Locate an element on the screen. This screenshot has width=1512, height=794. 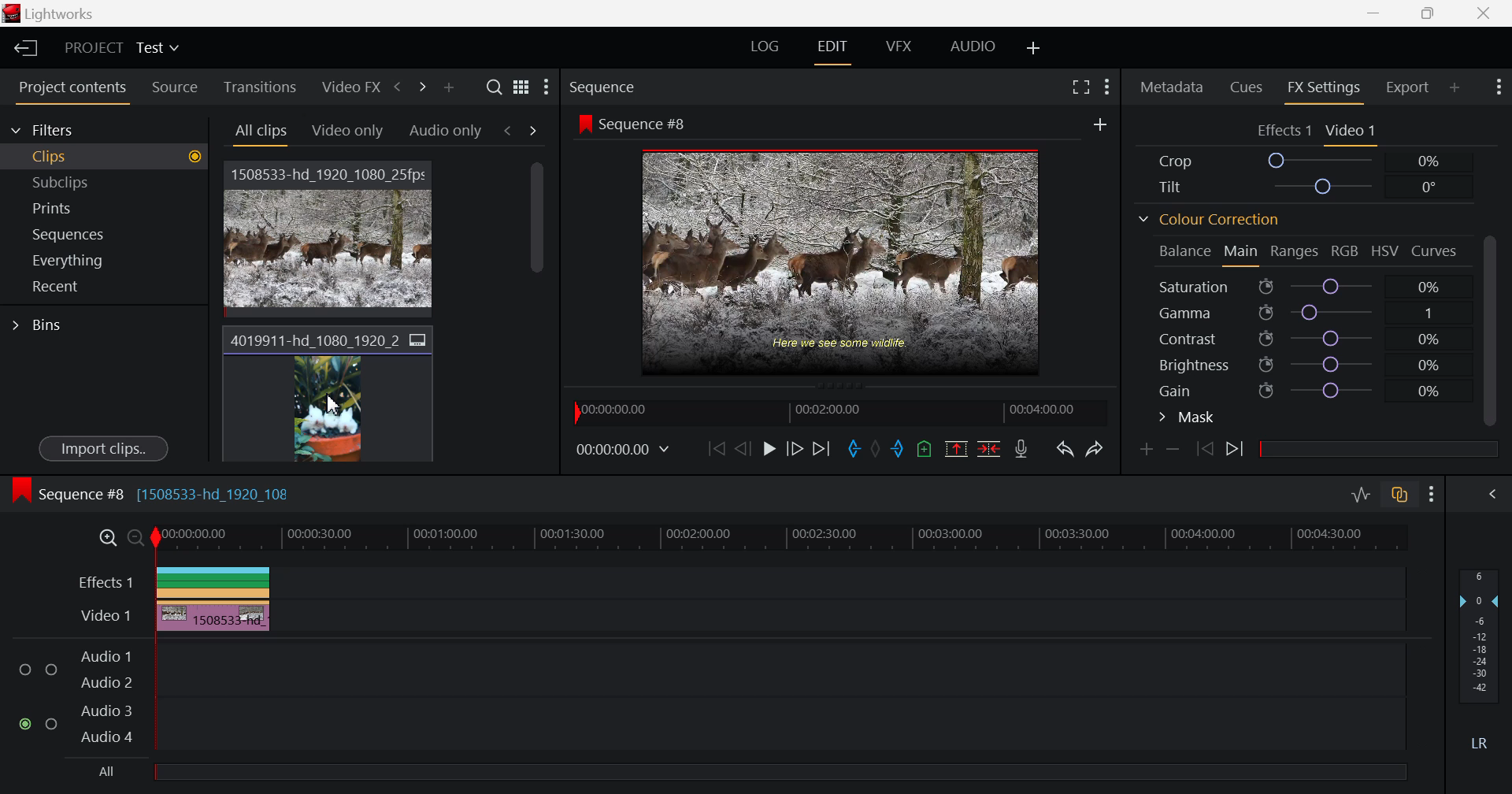
Project contents Tab Open is located at coordinates (68, 88).